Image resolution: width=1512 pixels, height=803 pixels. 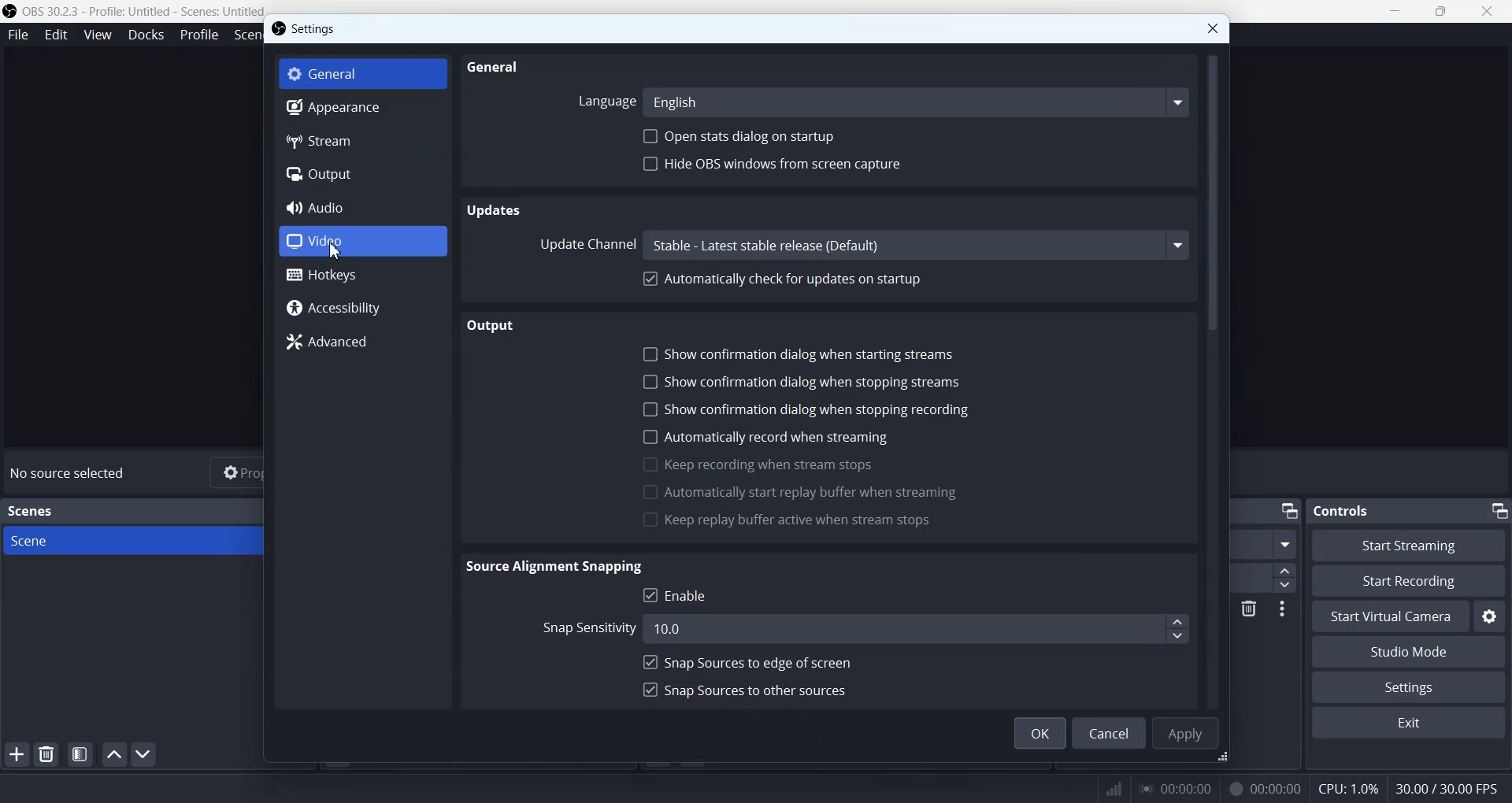 What do you see at coordinates (31, 512) in the screenshot?
I see `Scenes` at bounding box center [31, 512].